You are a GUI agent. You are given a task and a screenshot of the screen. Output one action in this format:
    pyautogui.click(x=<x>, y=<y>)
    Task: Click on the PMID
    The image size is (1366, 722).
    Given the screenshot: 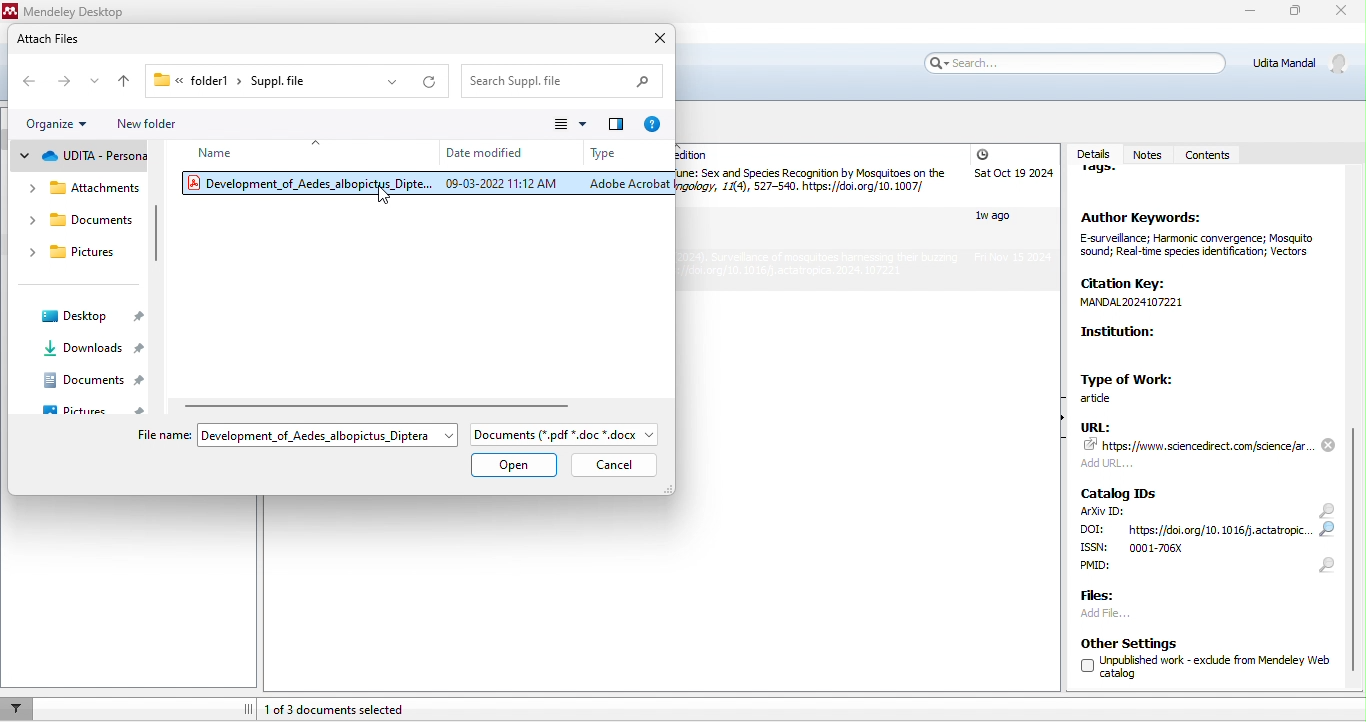 What is the action you would take?
    pyautogui.click(x=1125, y=571)
    